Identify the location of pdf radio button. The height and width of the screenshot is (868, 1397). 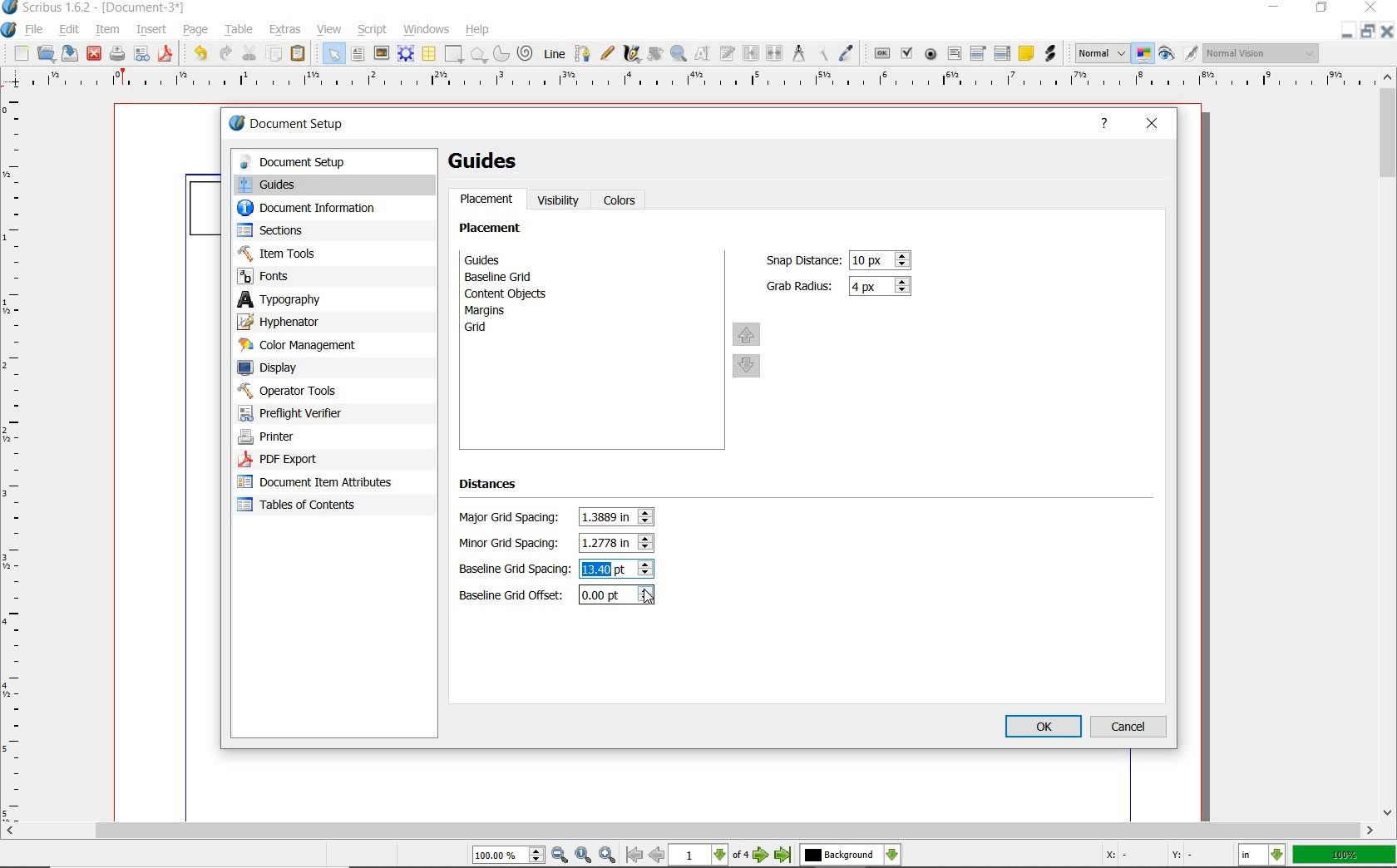
(932, 54).